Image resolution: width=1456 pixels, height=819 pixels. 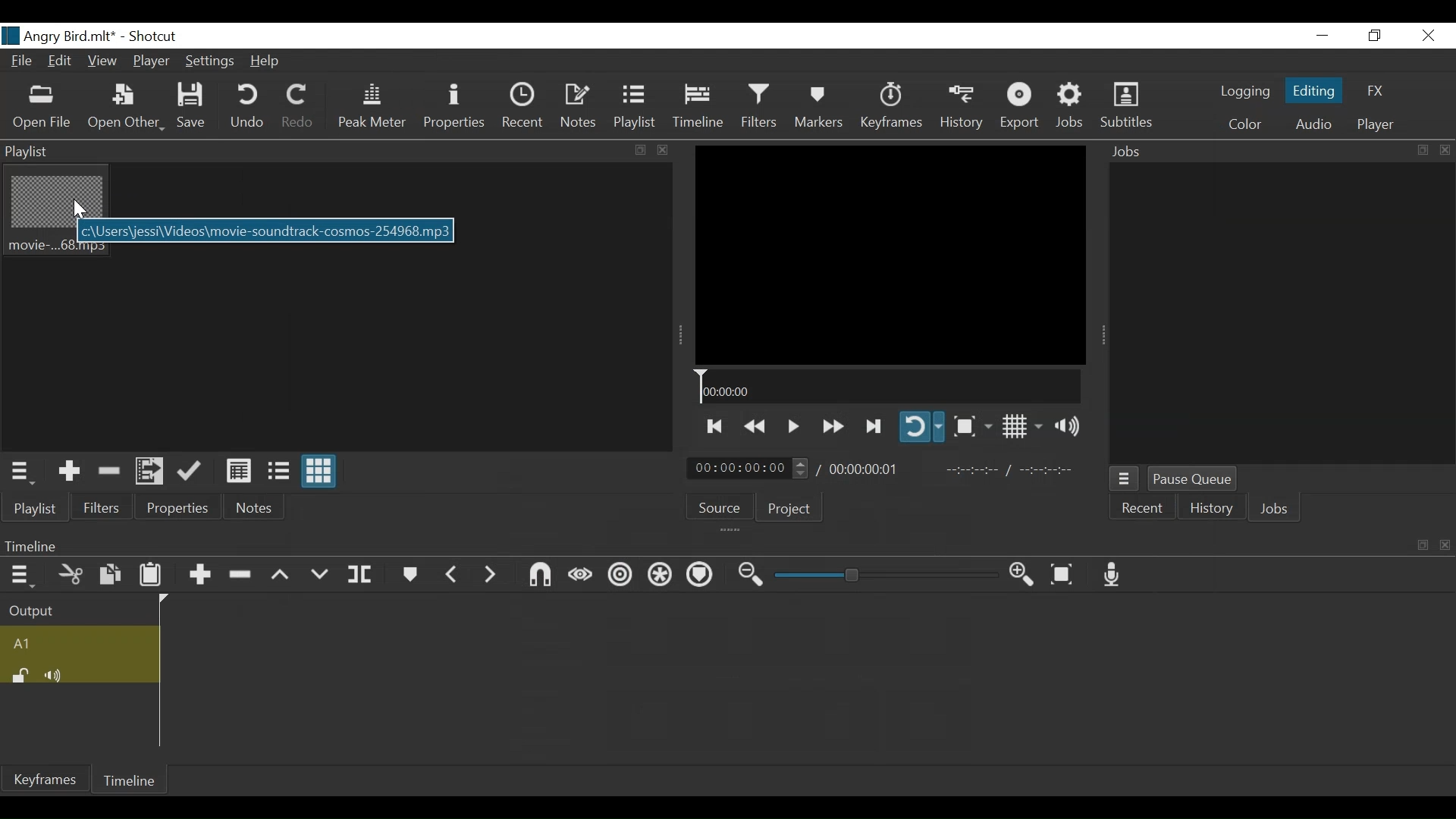 What do you see at coordinates (277, 472) in the screenshot?
I see `View as files` at bounding box center [277, 472].